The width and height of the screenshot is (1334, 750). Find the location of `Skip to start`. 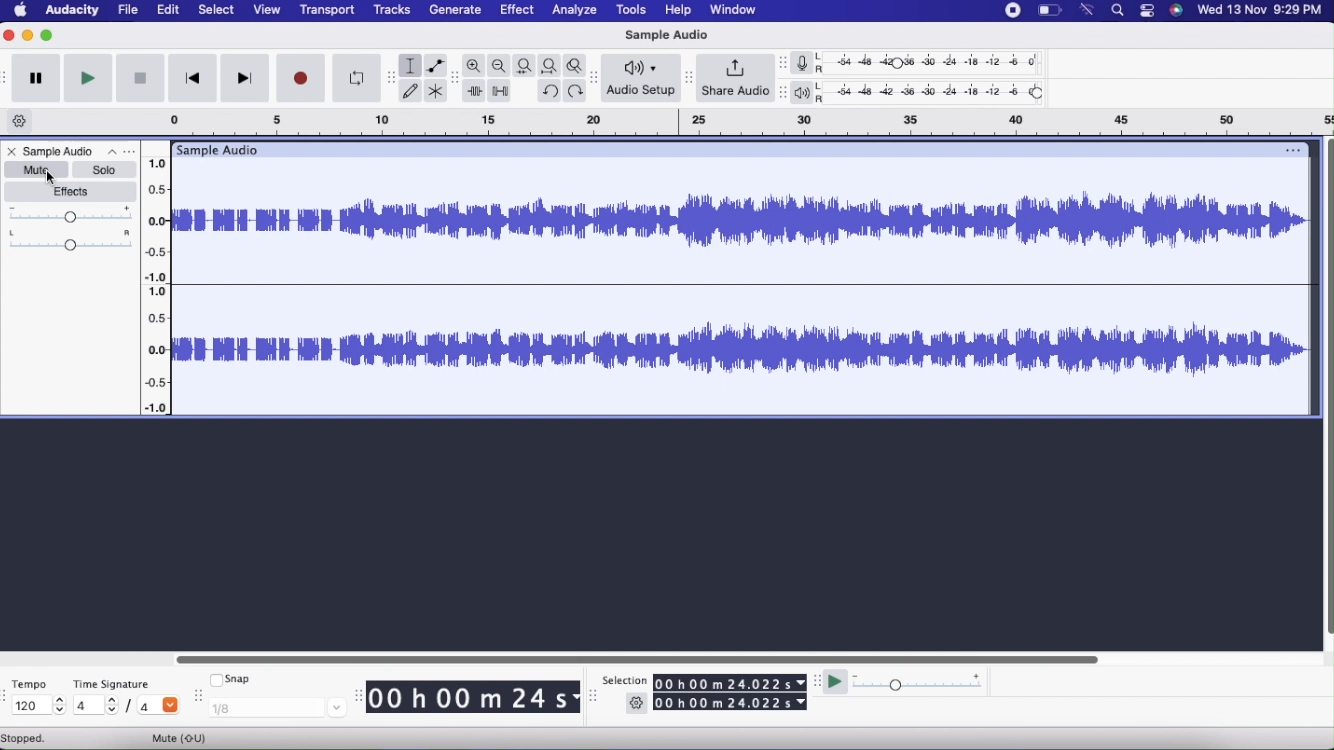

Skip to start is located at coordinates (193, 79).